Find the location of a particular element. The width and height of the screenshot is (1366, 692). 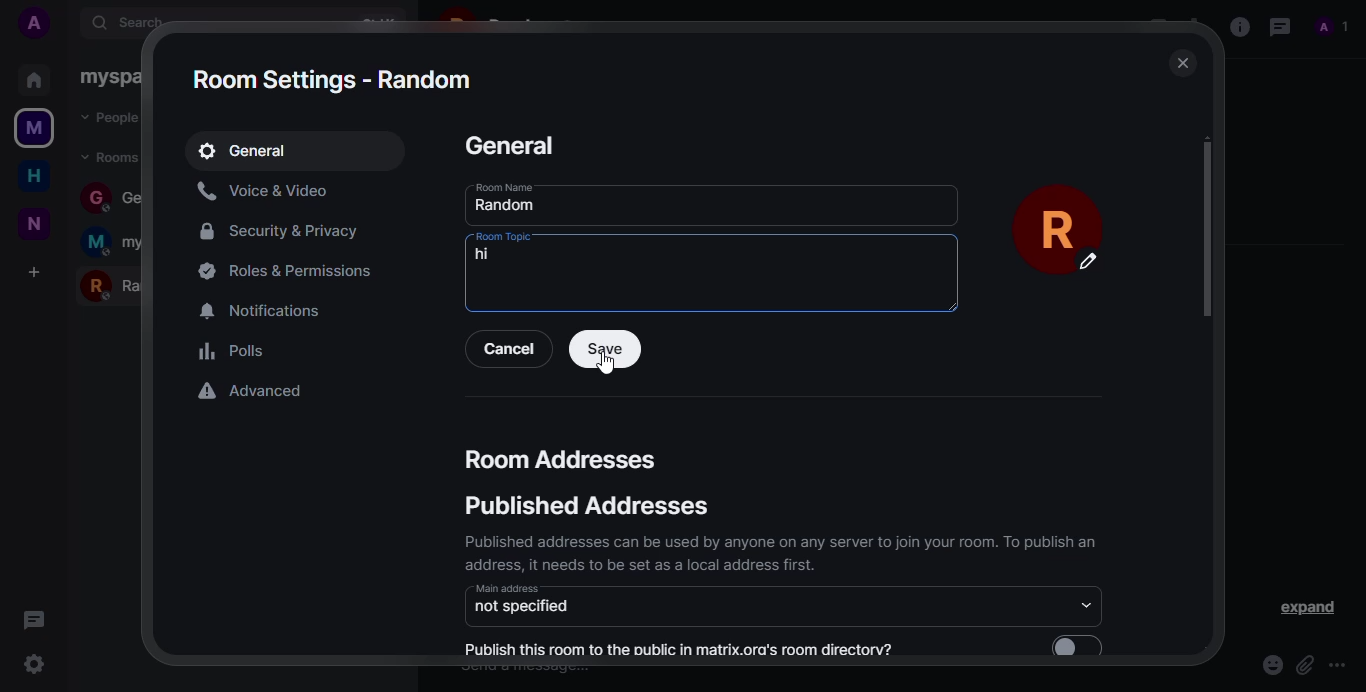

myspace is located at coordinates (105, 77).